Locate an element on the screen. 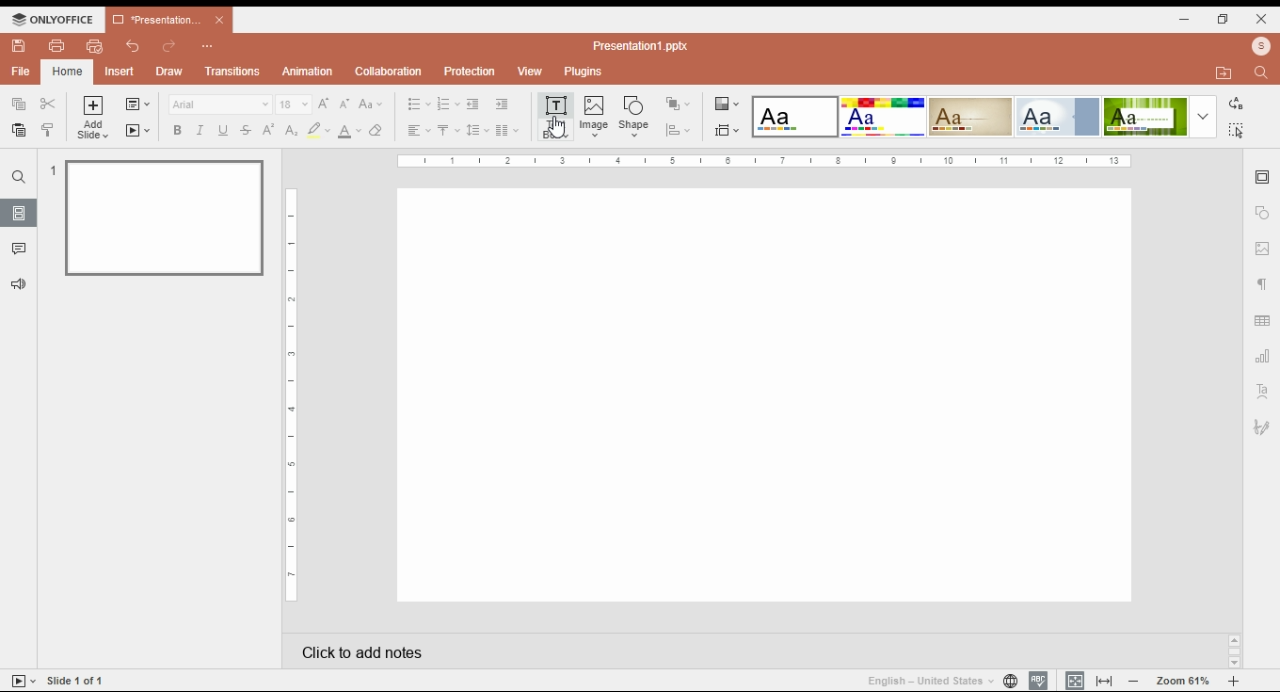  view is located at coordinates (530, 71).